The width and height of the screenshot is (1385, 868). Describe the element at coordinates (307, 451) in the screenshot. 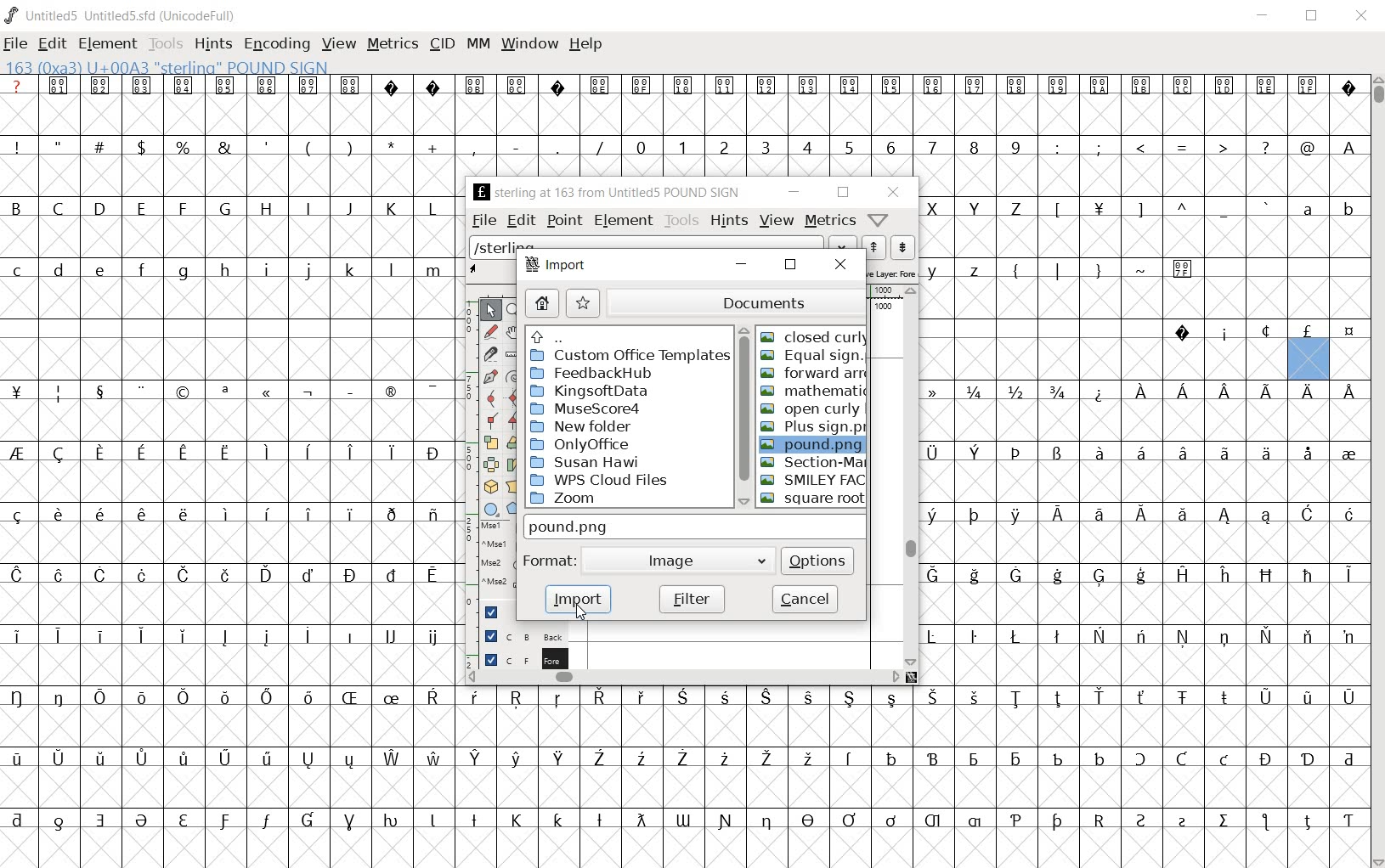

I see `Symbol` at that location.